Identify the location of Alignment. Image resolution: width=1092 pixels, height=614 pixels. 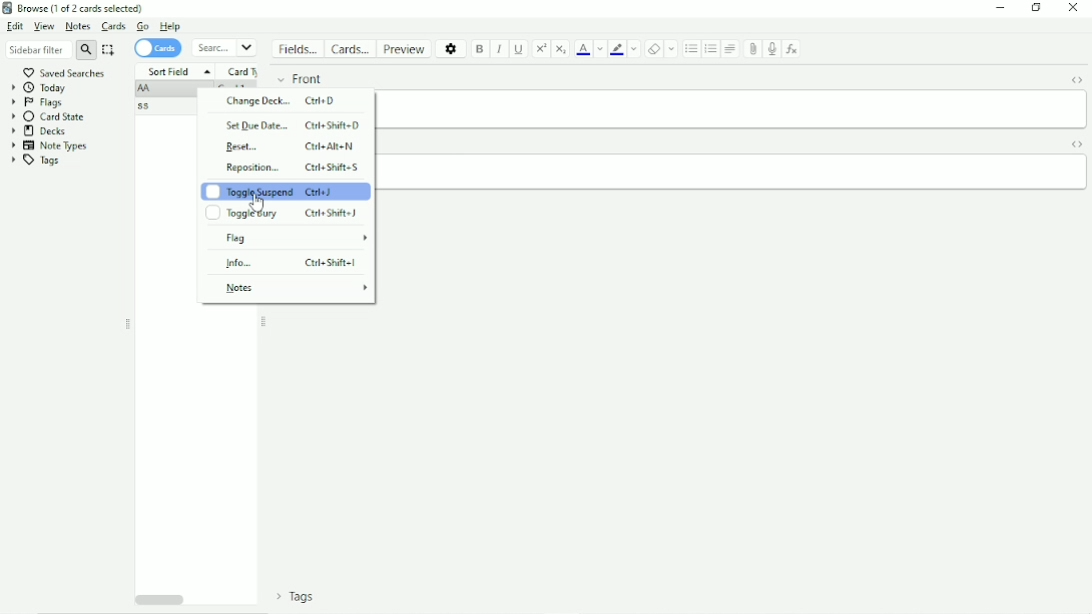
(732, 48).